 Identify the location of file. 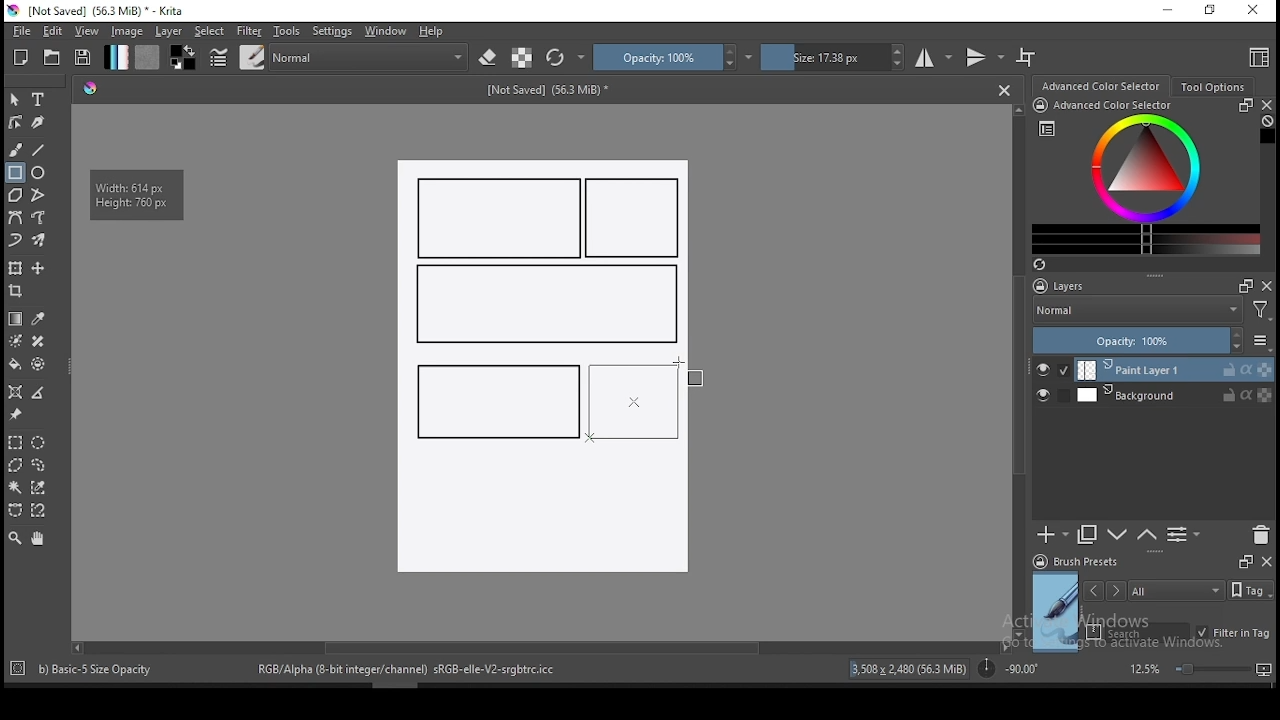
(21, 31).